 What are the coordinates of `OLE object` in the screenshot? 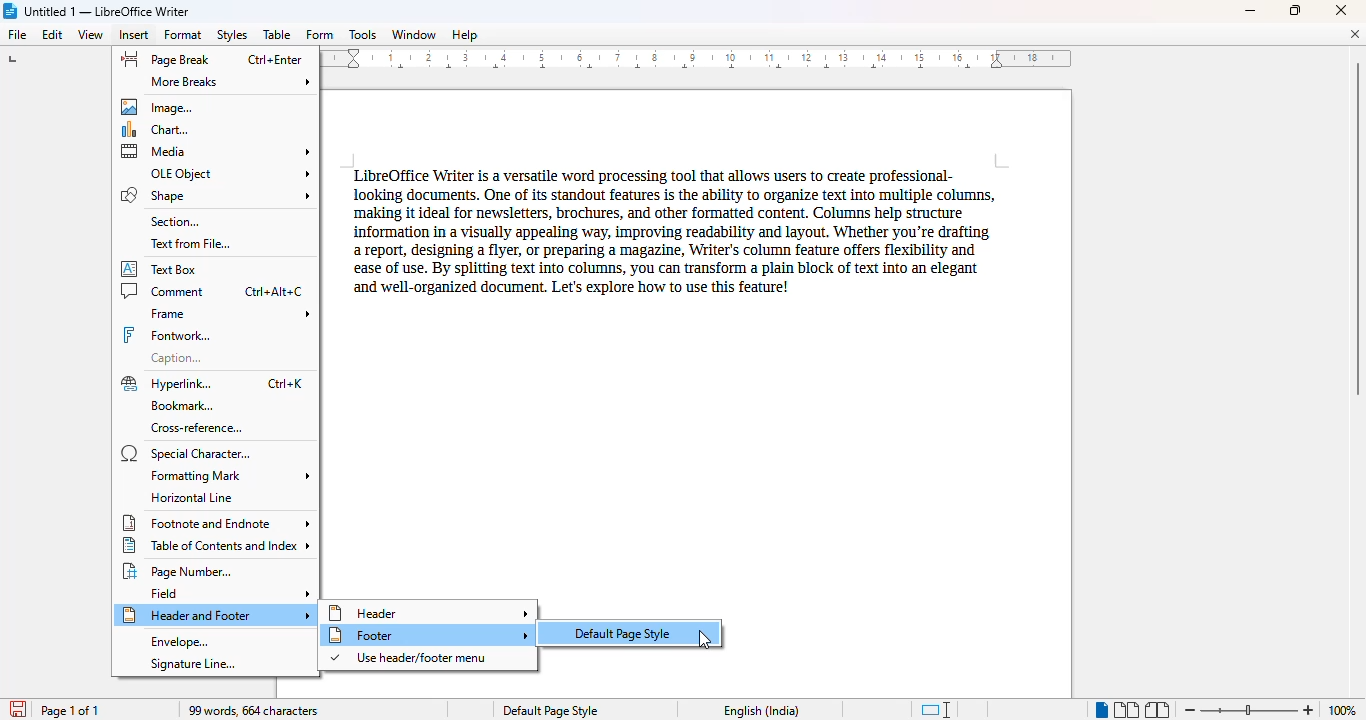 It's located at (230, 173).